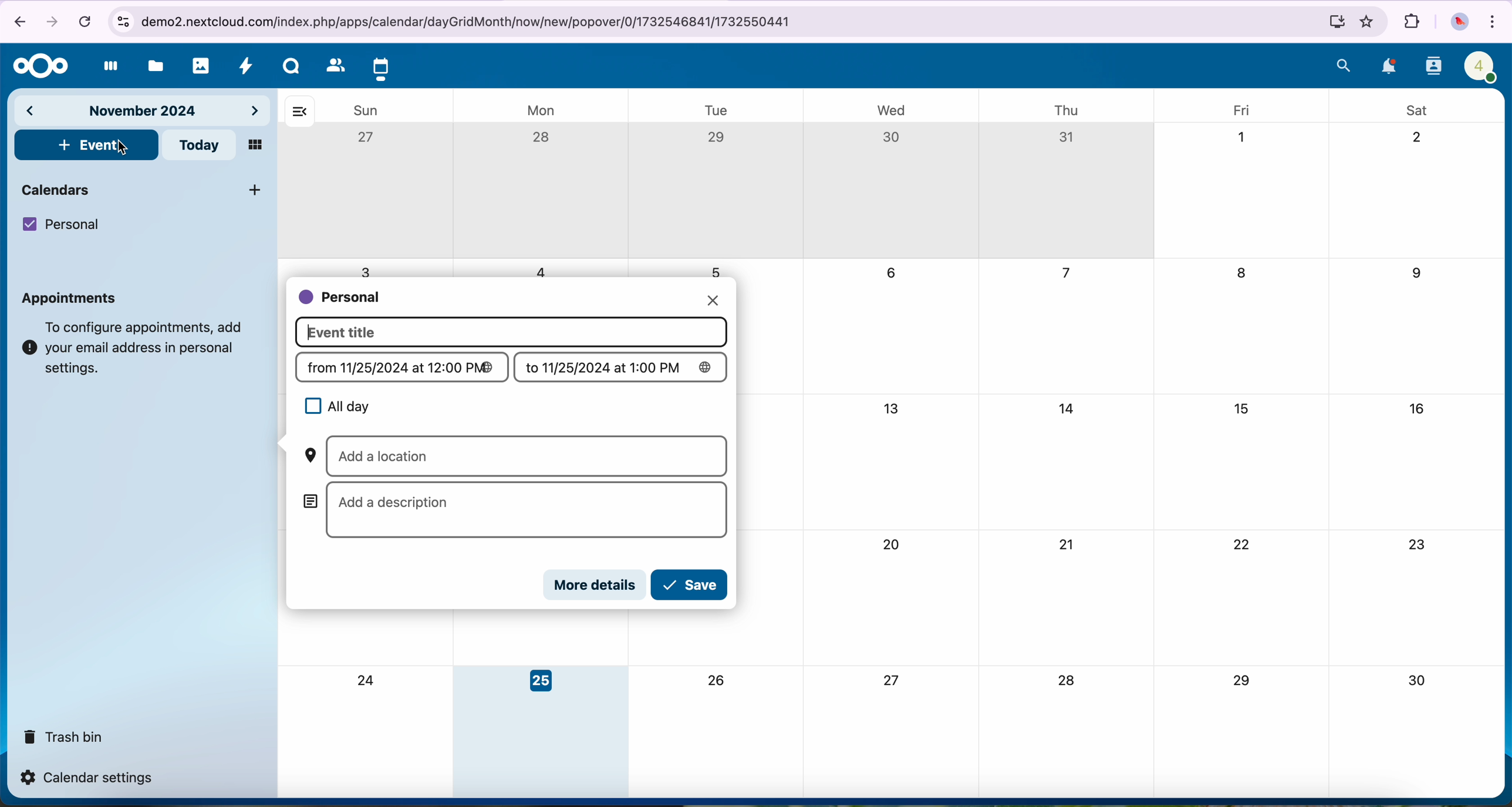 This screenshot has width=1512, height=807. Describe the element at coordinates (713, 108) in the screenshot. I see `tue` at that location.